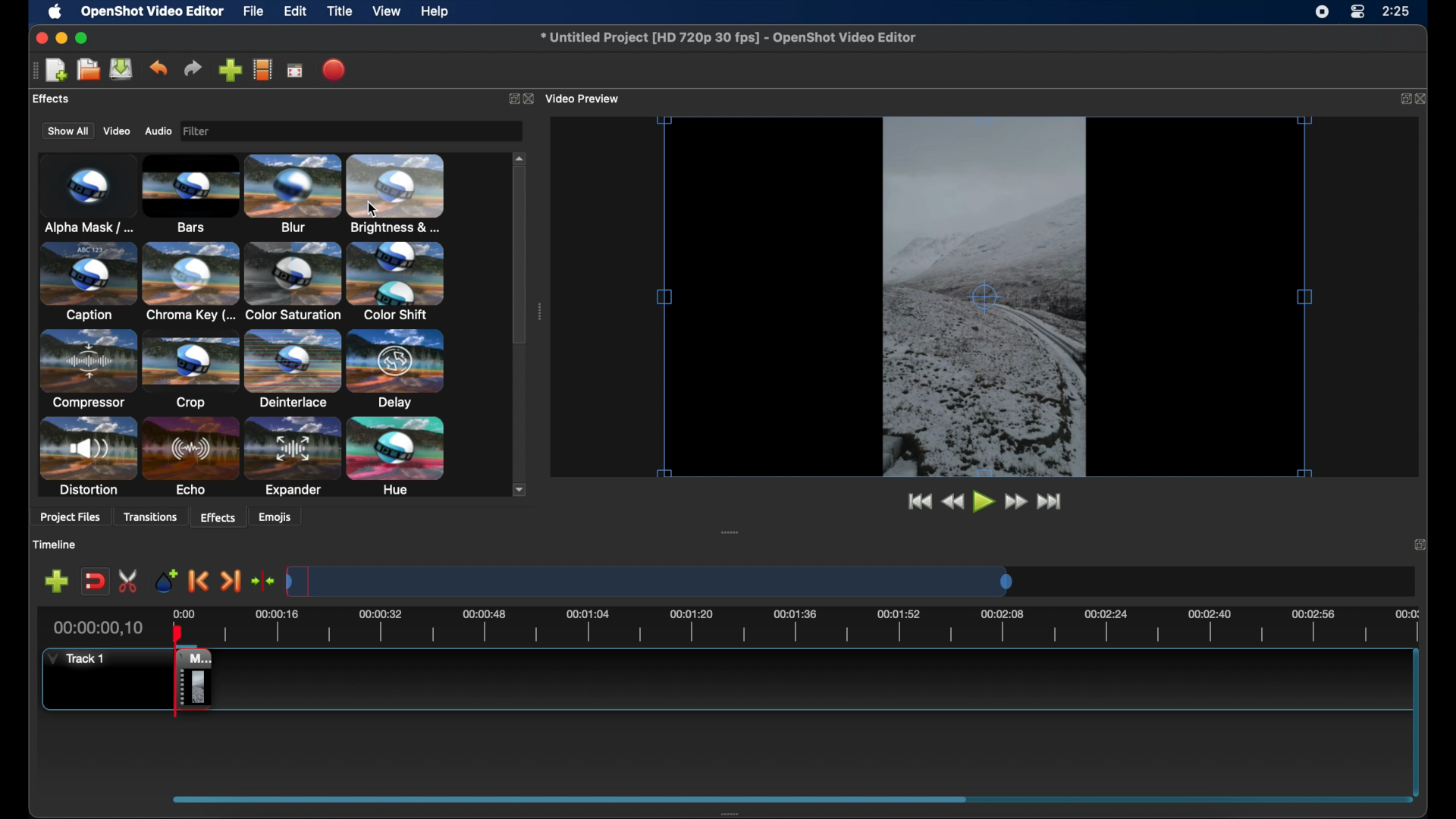  Describe the element at coordinates (983, 502) in the screenshot. I see `play button` at that location.